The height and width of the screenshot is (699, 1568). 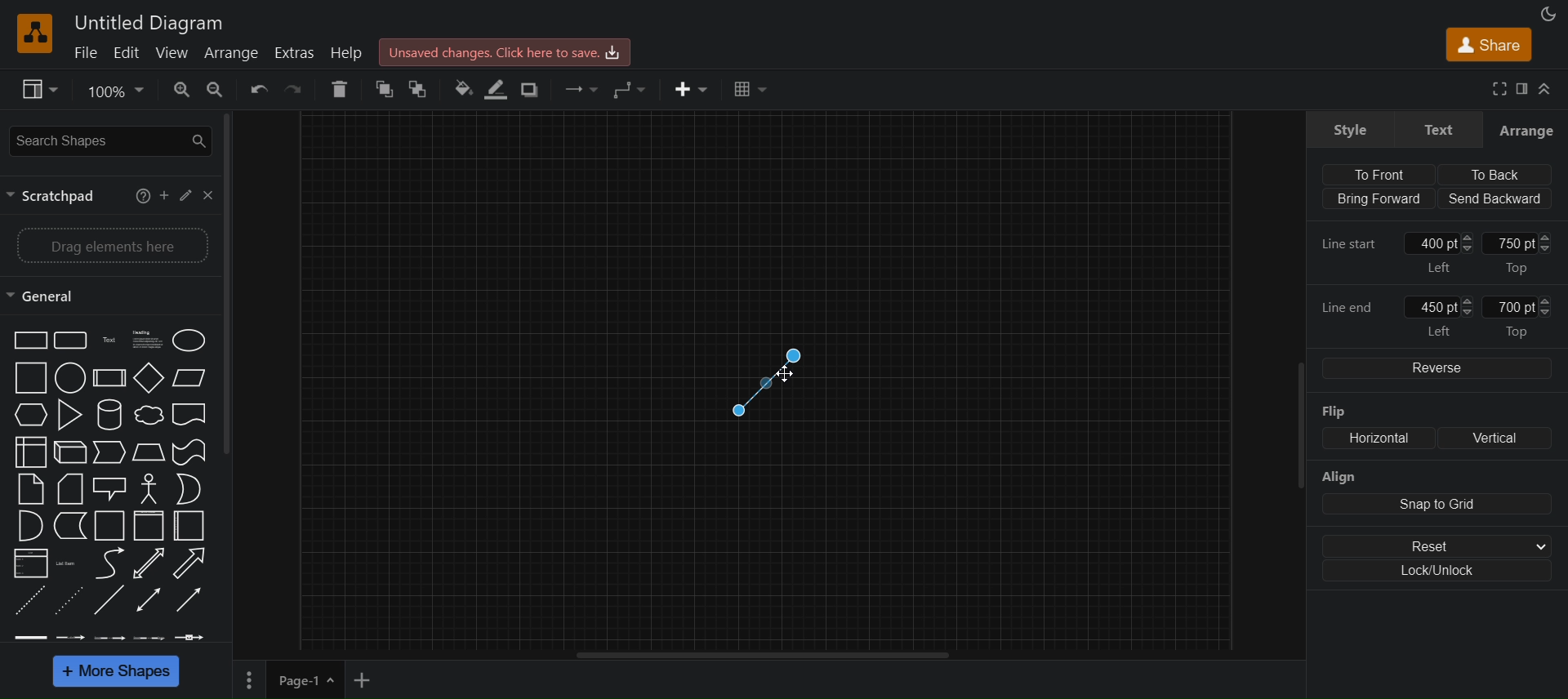 What do you see at coordinates (29, 525) in the screenshot?
I see `And` at bounding box center [29, 525].